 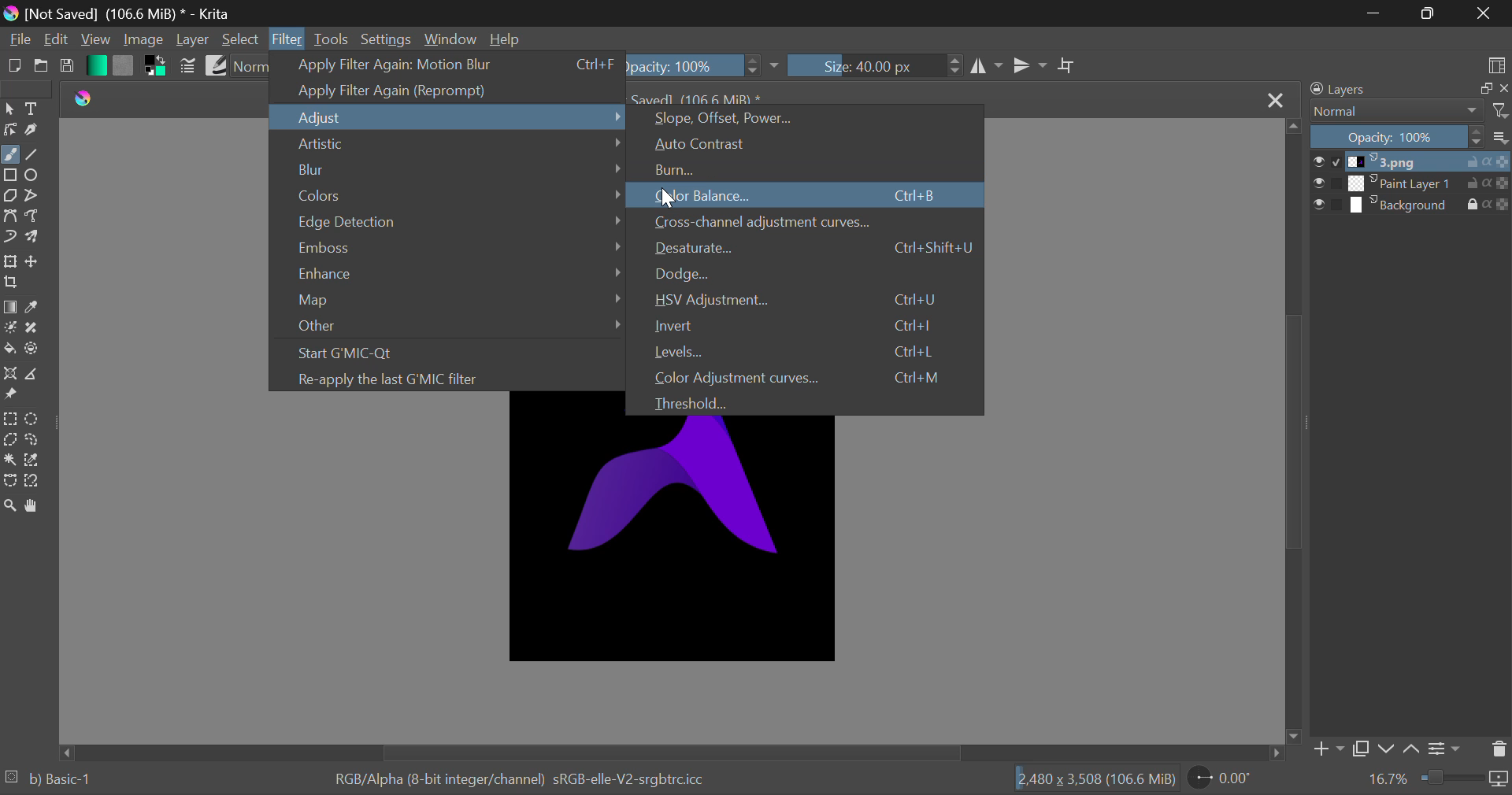 What do you see at coordinates (13, 217) in the screenshot?
I see `Bezier Curve` at bounding box center [13, 217].